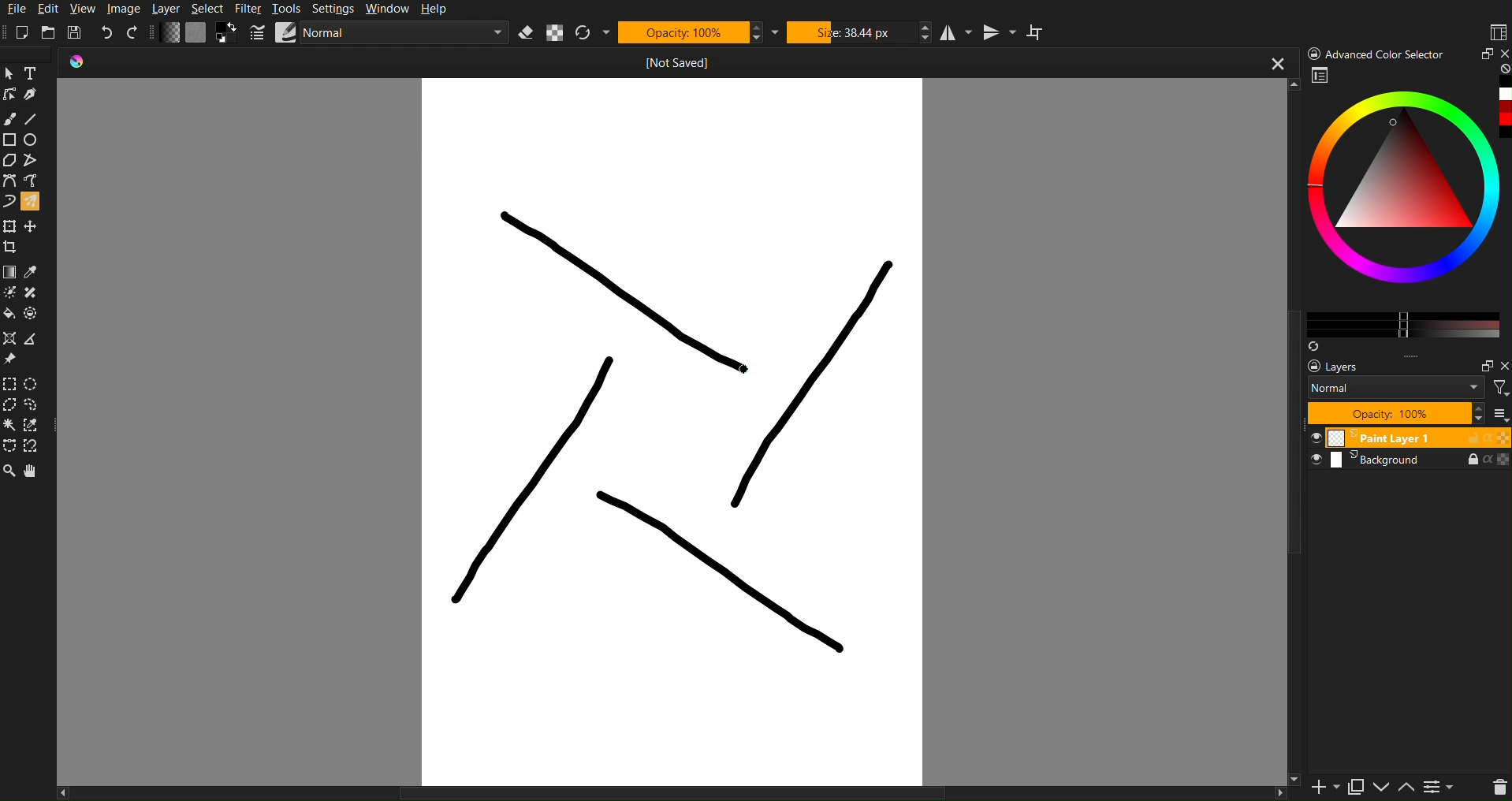 The image size is (1512, 801). I want to click on Blemish fix, so click(36, 294).